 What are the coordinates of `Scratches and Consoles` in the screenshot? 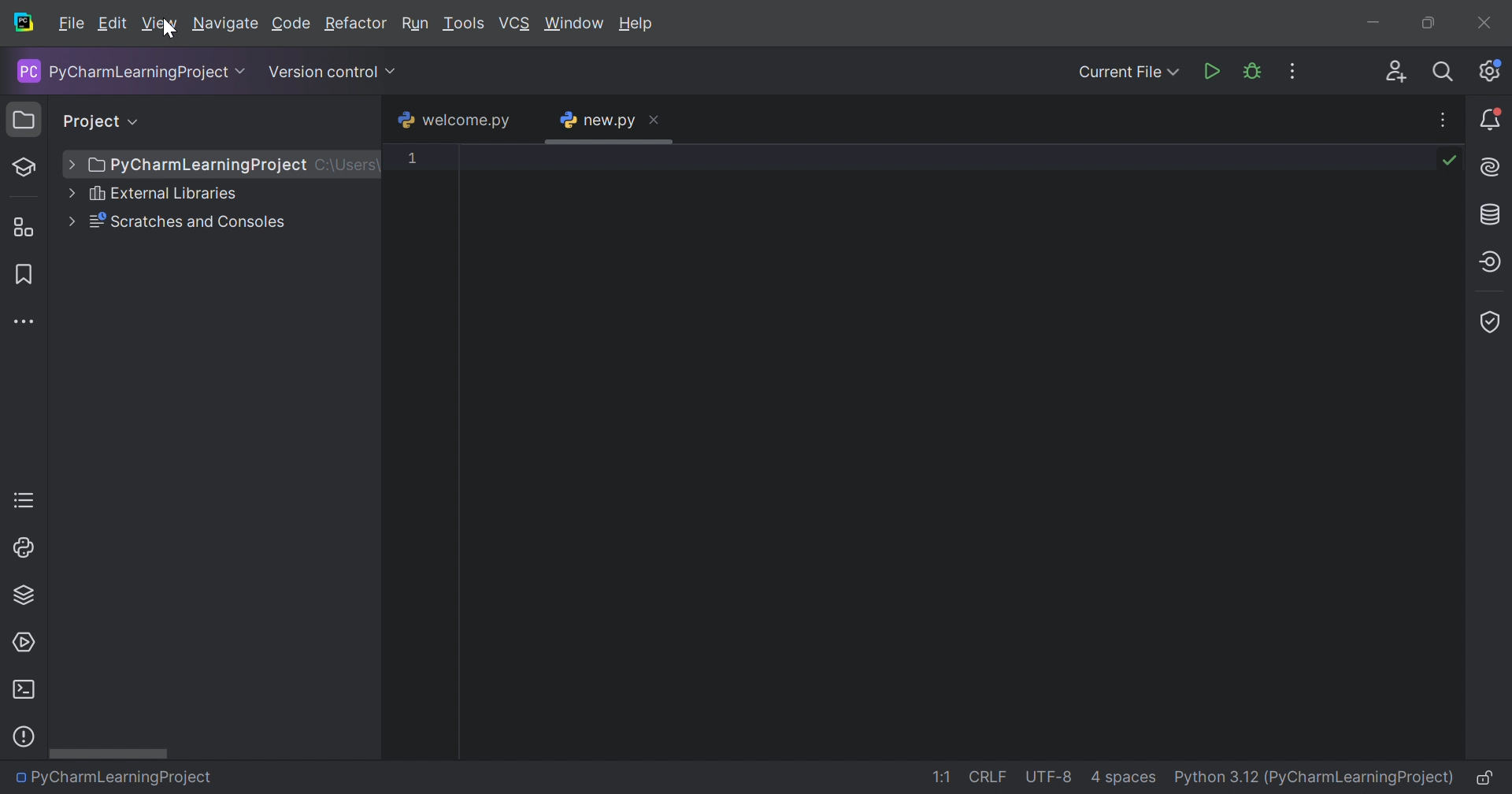 It's located at (187, 221).